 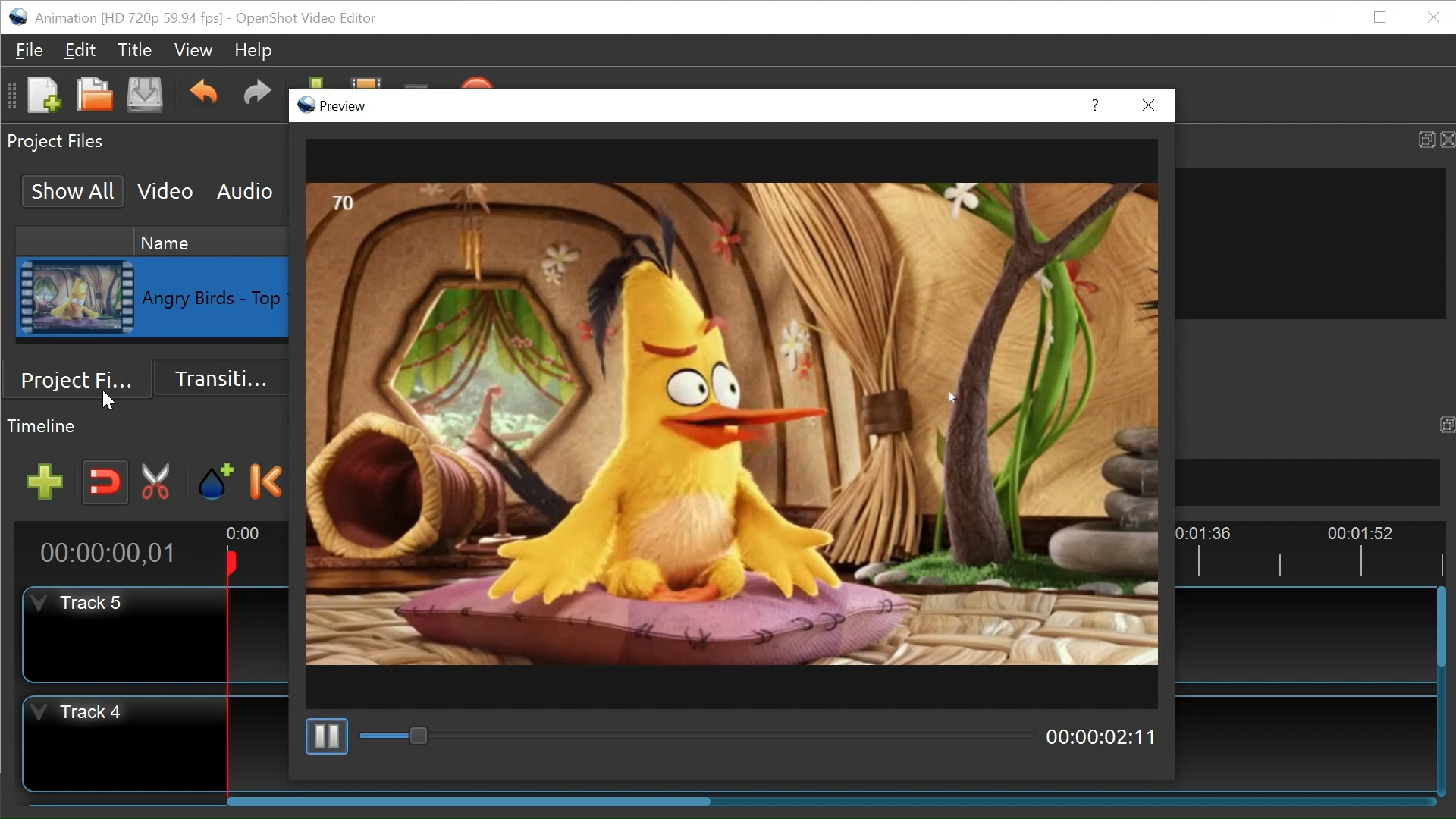 What do you see at coordinates (144, 94) in the screenshot?
I see `Save Project` at bounding box center [144, 94].